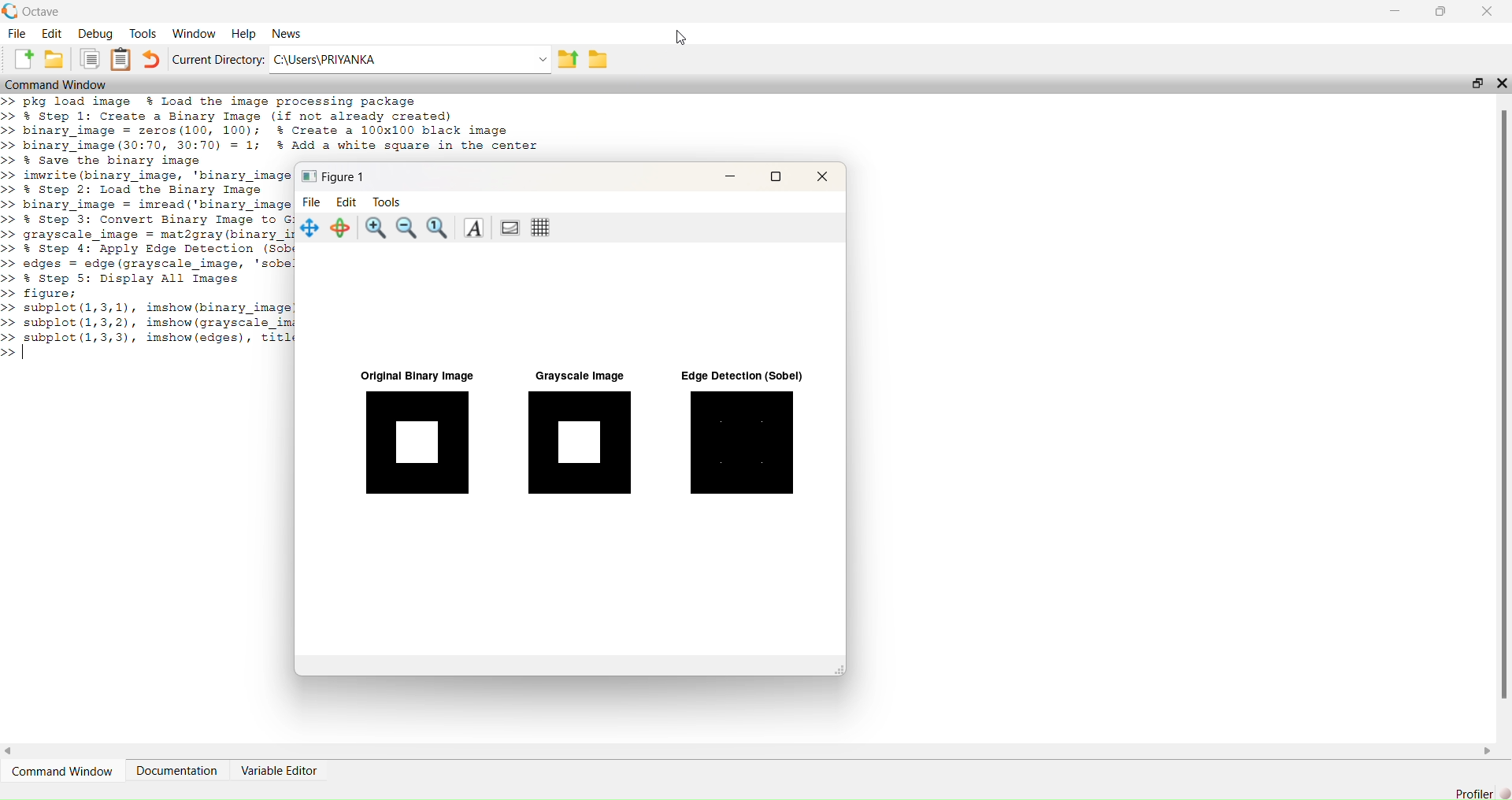  What do you see at coordinates (196, 33) in the screenshot?
I see `Window` at bounding box center [196, 33].